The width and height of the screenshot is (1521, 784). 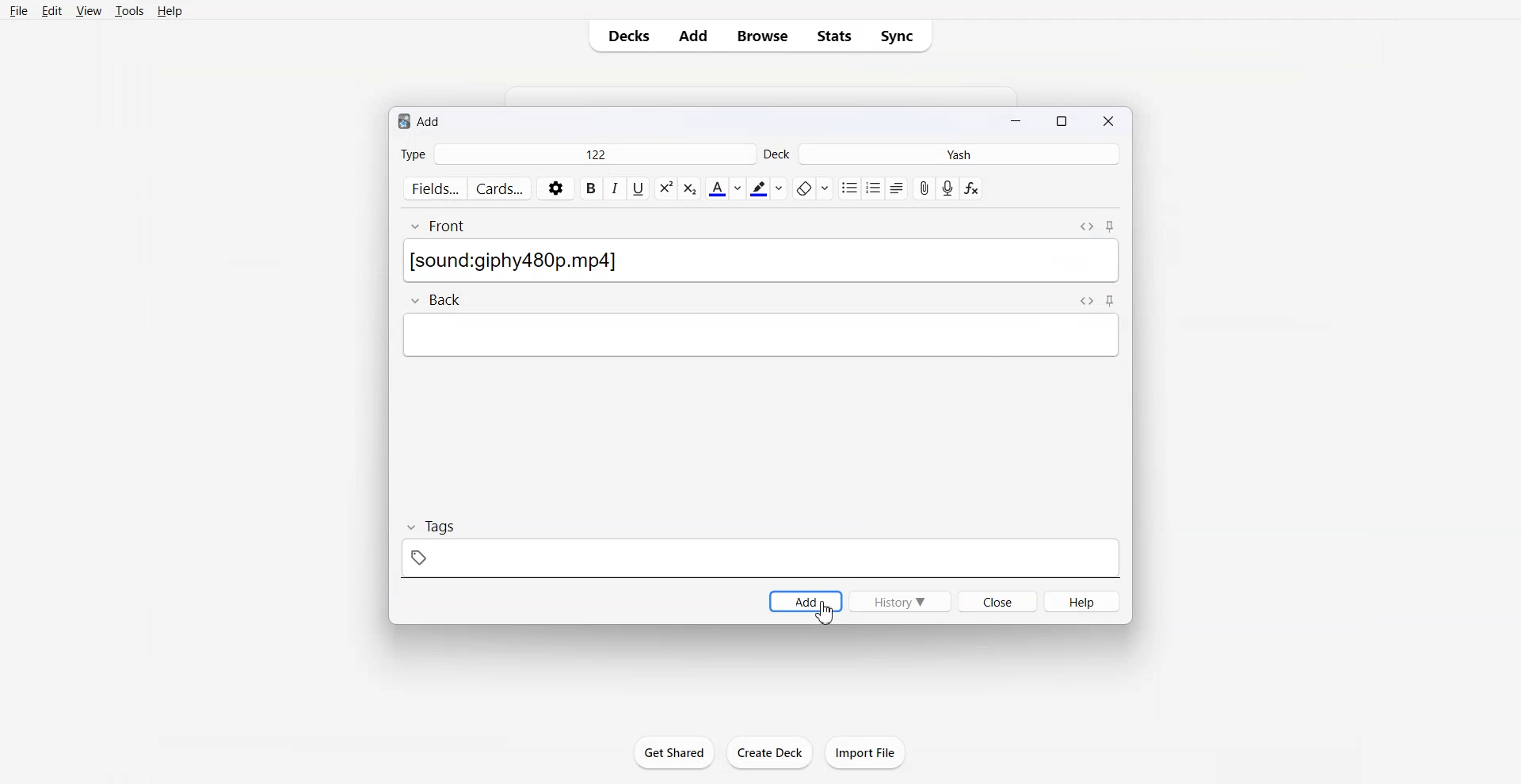 What do you see at coordinates (596, 154) in the screenshot?
I see `122` at bounding box center [596, 154].